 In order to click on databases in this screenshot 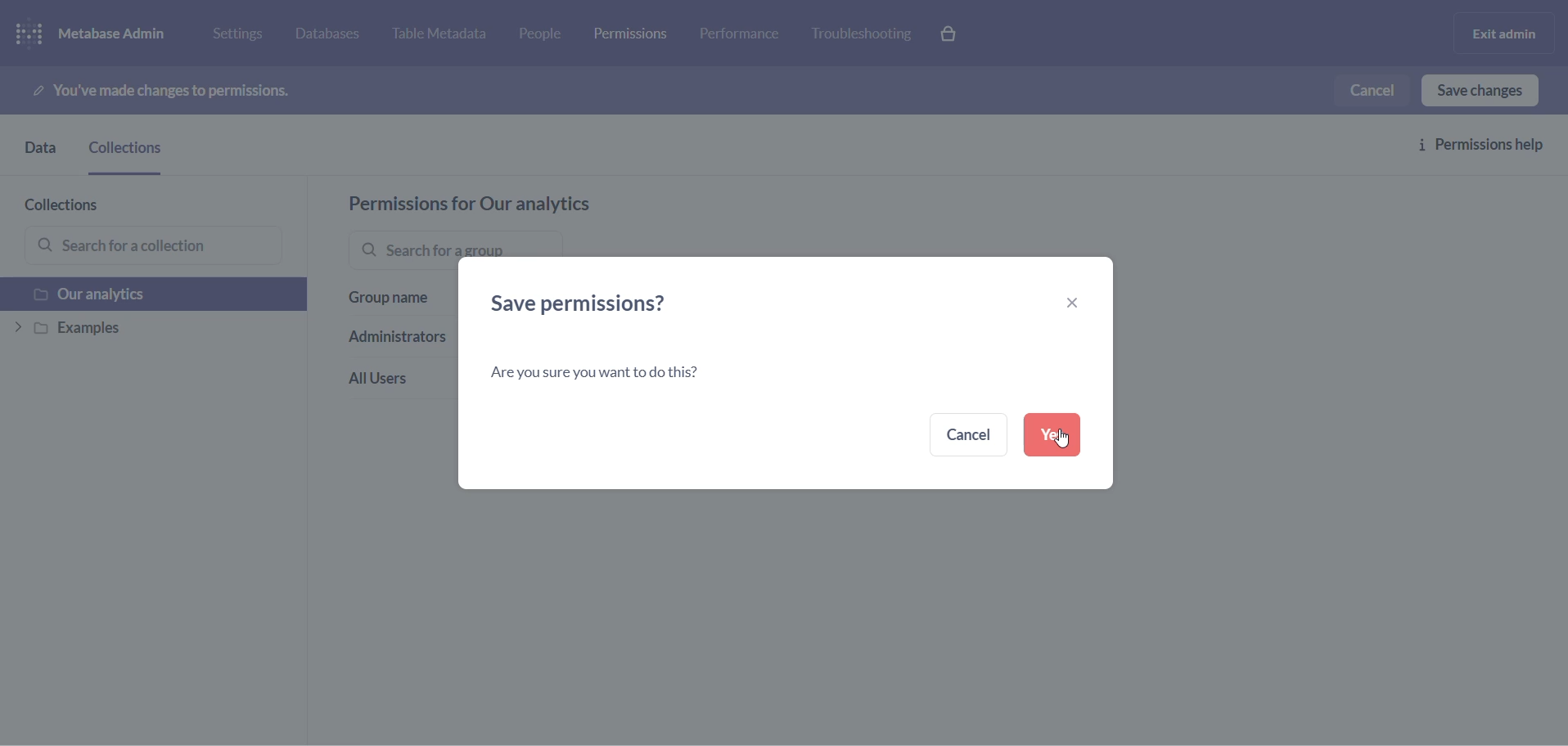, I will do `click(336, 36)`.